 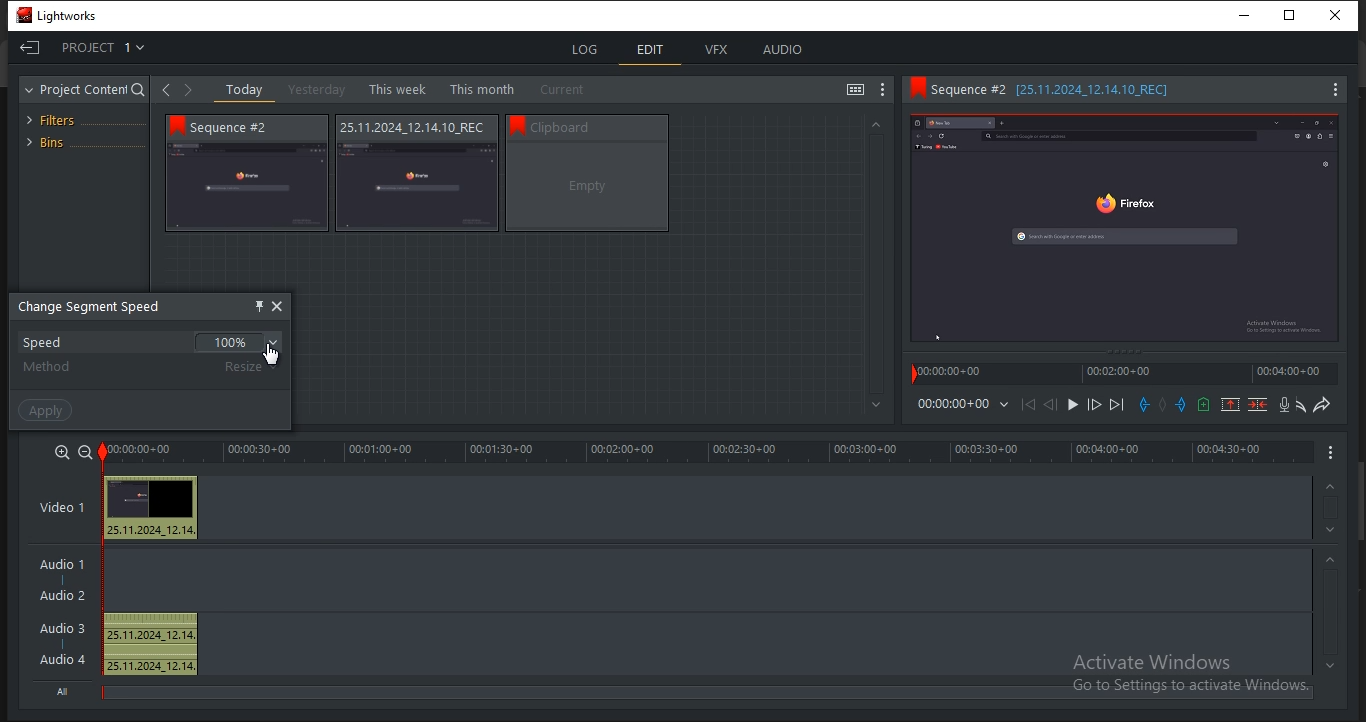 I want to click on record a voice over, so click(x=1281, y=404).